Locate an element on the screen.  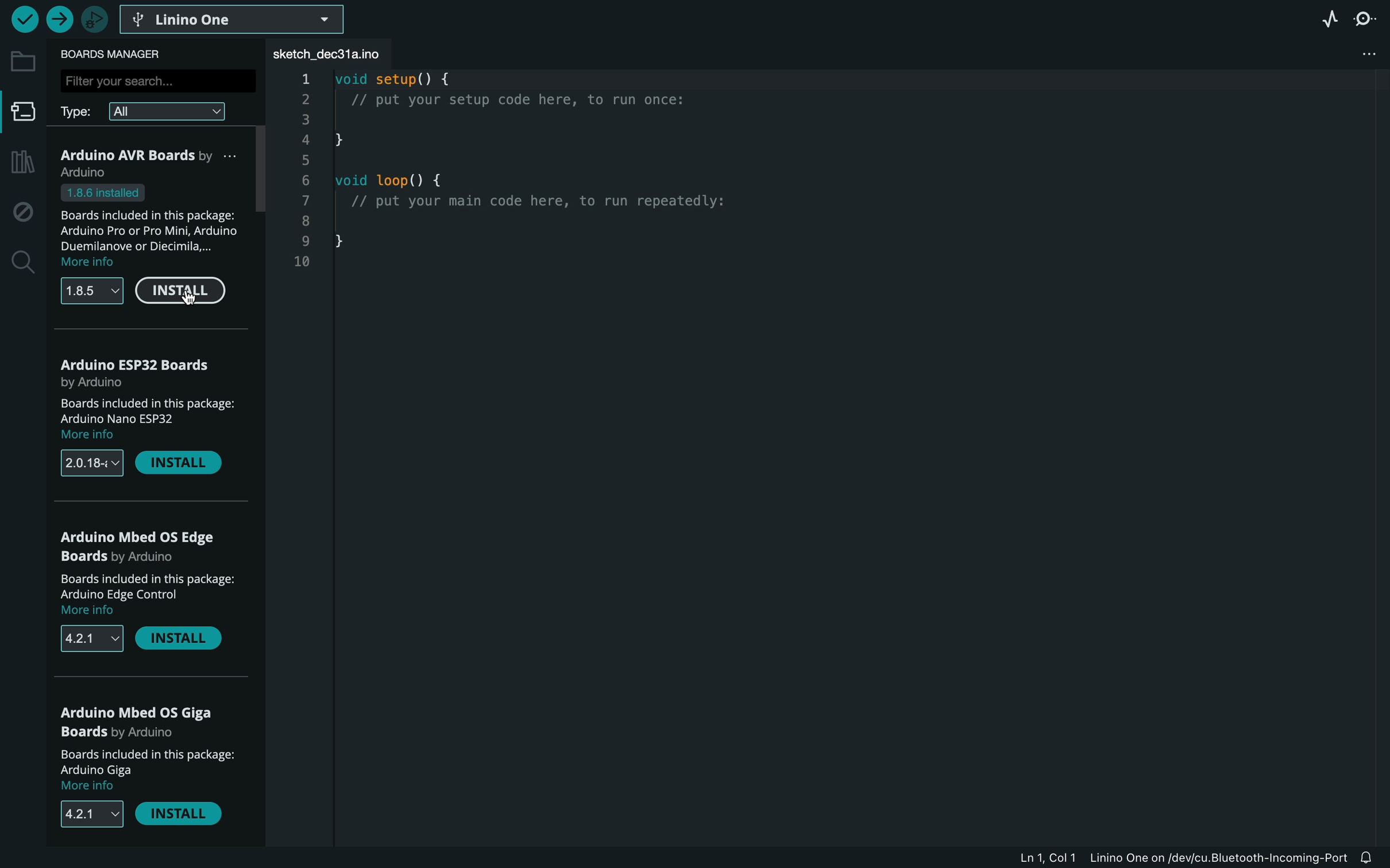
versions is located at coordinates (91, 292).